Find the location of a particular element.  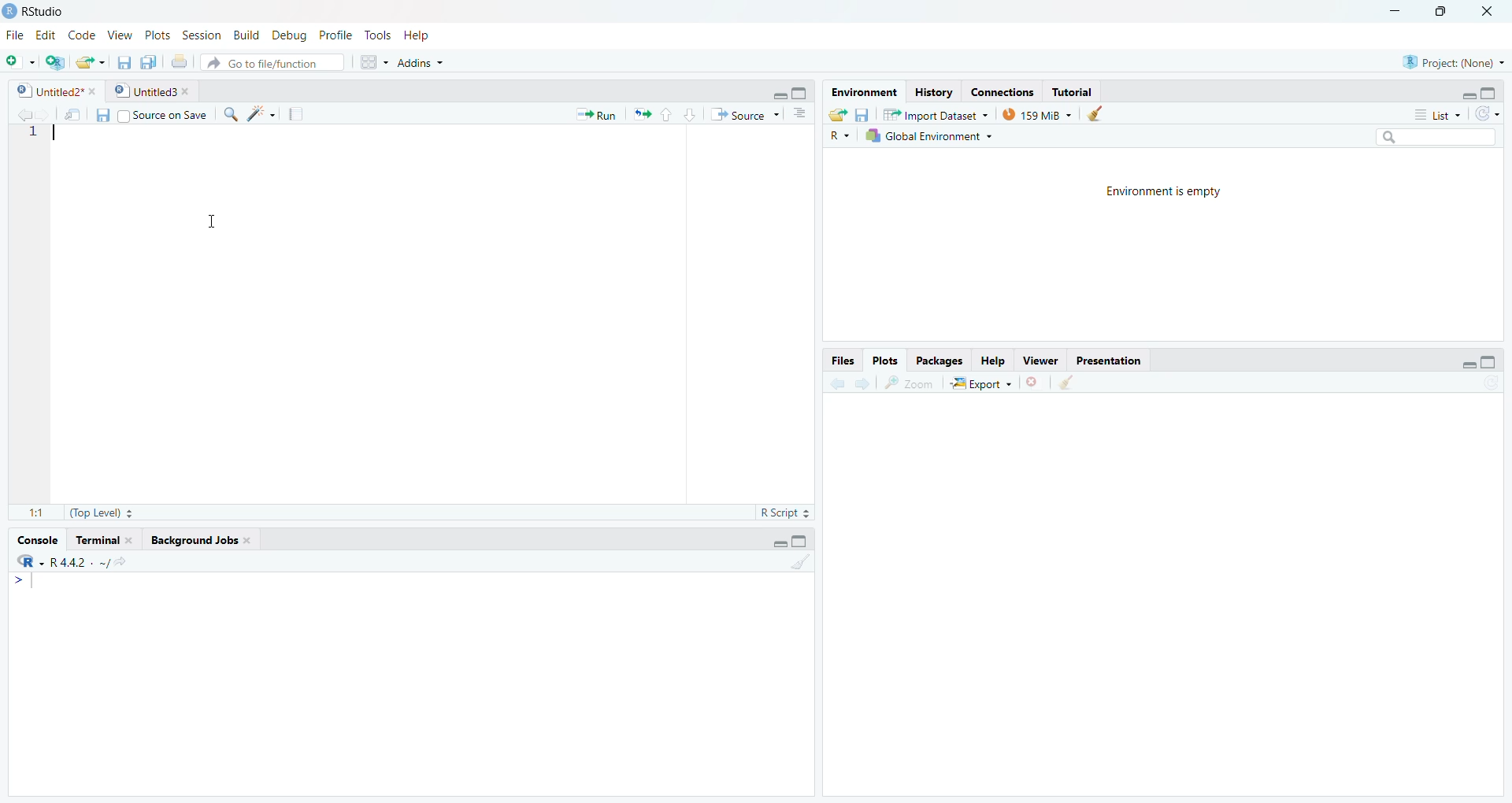

File is located at coordinates (13, 35).